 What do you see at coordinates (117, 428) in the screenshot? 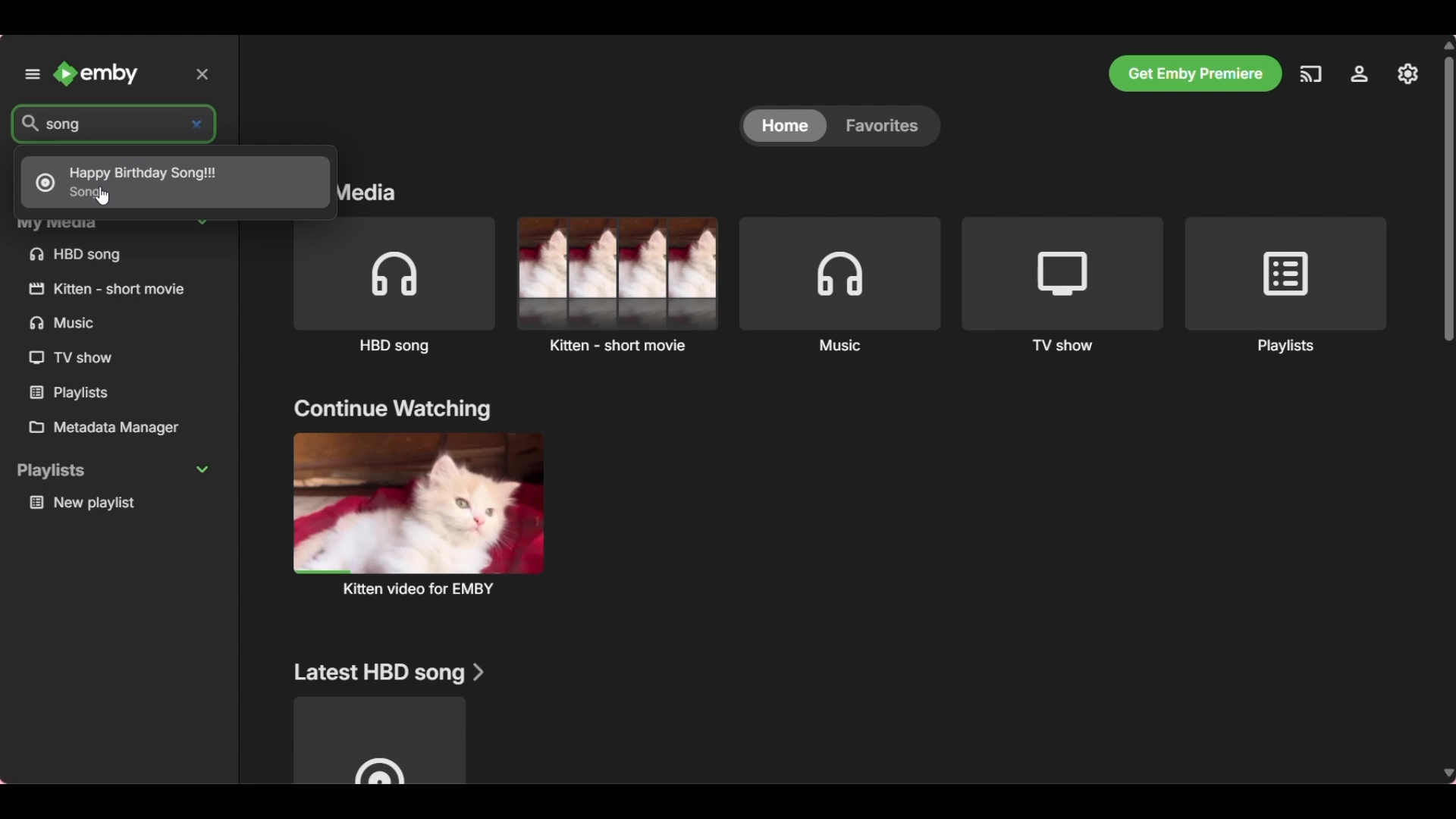
I see `Metadata manager` at bounding box center [117, 428].